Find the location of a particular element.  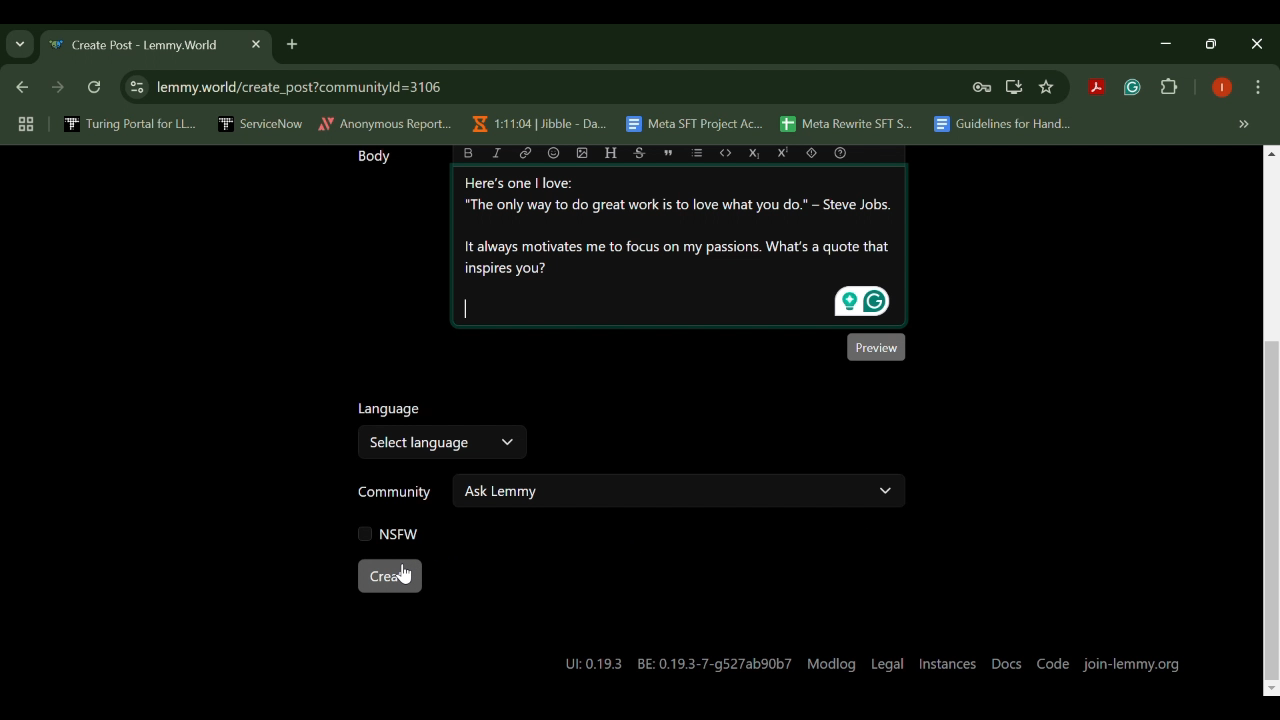

Anonymous Report... is located at coordinates (386, 123).